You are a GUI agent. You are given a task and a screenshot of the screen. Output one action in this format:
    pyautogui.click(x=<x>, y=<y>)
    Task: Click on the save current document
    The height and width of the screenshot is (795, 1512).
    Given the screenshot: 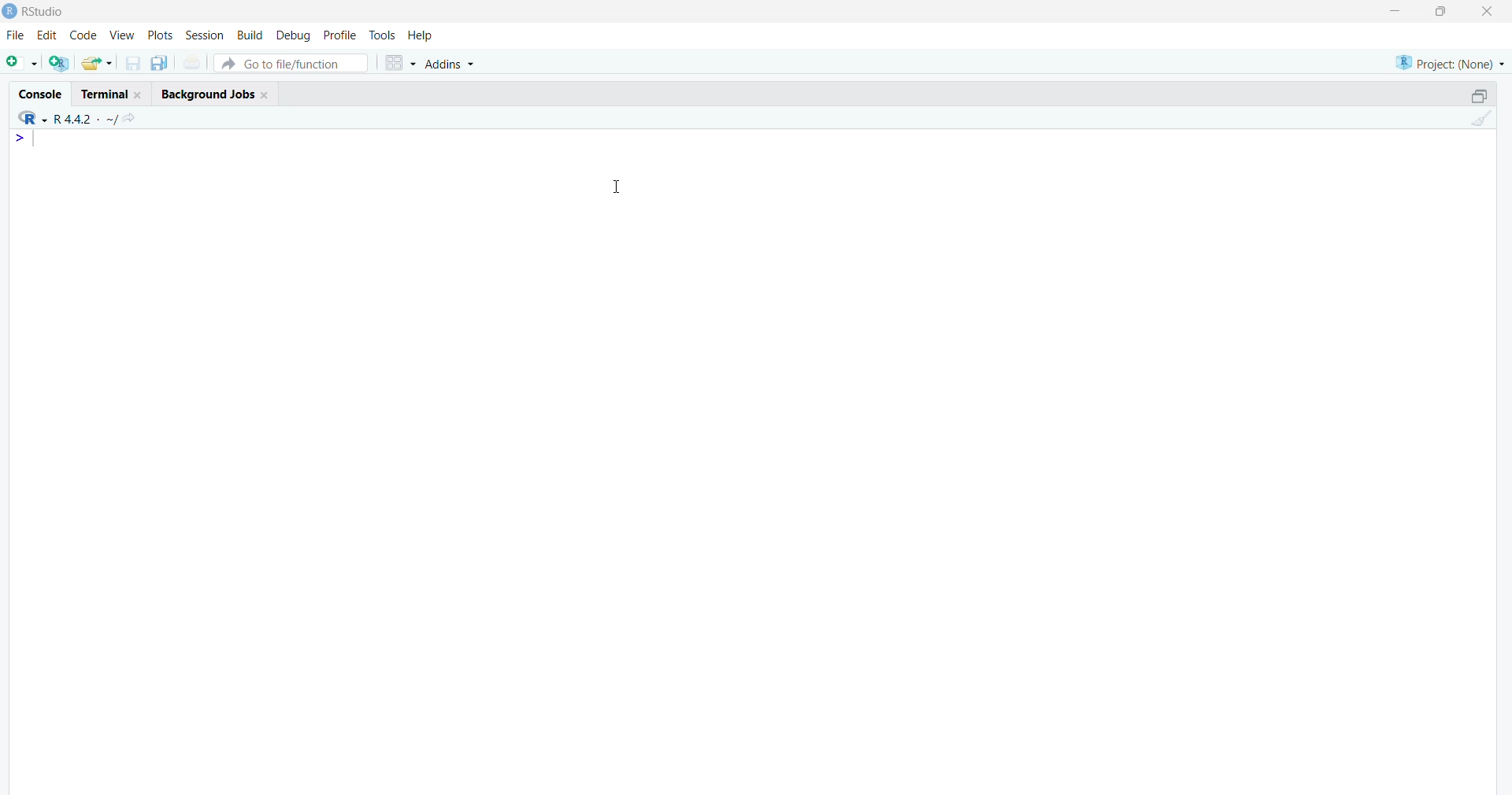 What is the action you would take?
    pyautogui.click(x=133, y=65)
    